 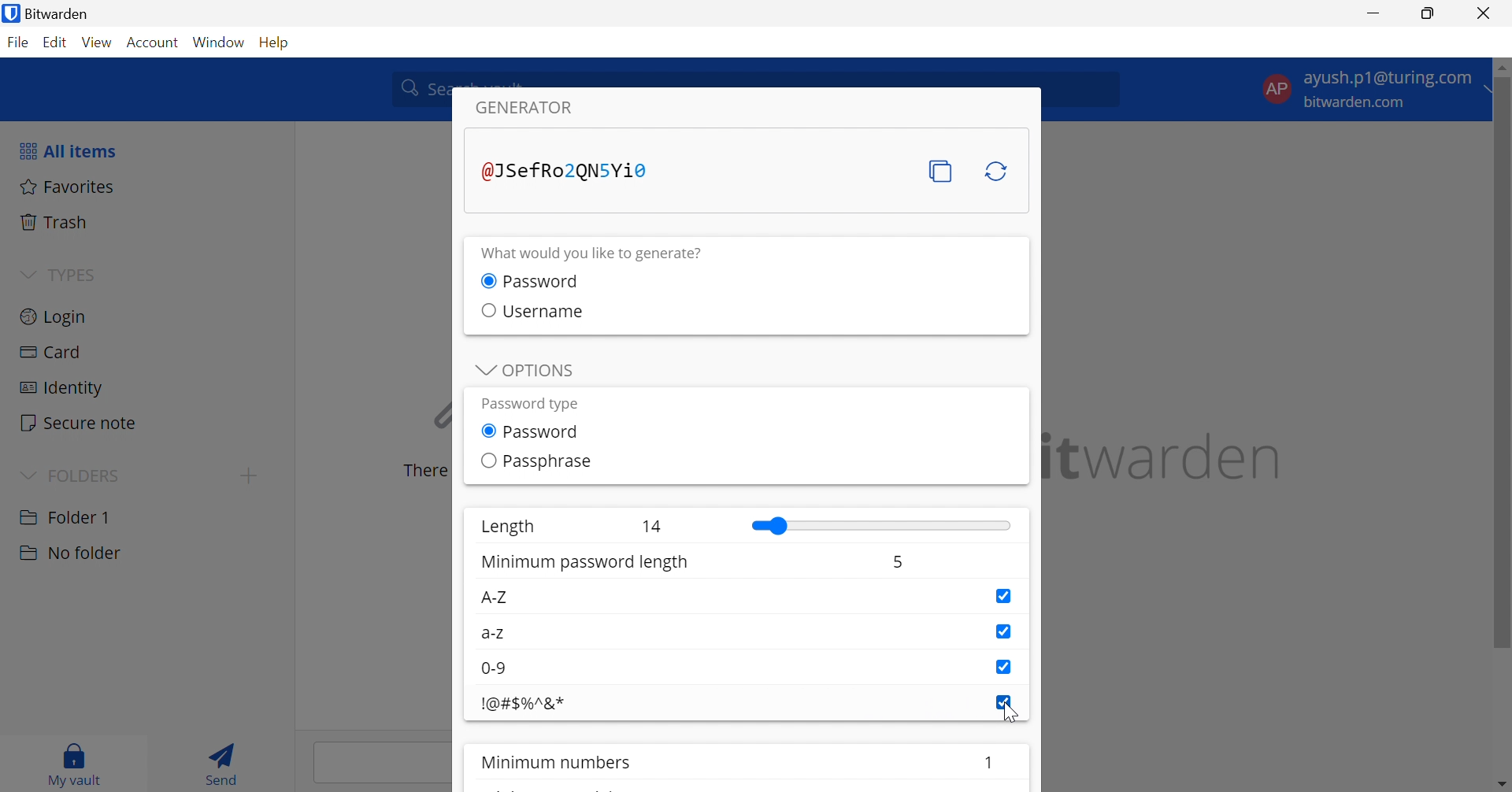 What do you see at coordinates (50, 13) in the screenshot?
I see `Bitwarden` at bounding box center [50, 13].